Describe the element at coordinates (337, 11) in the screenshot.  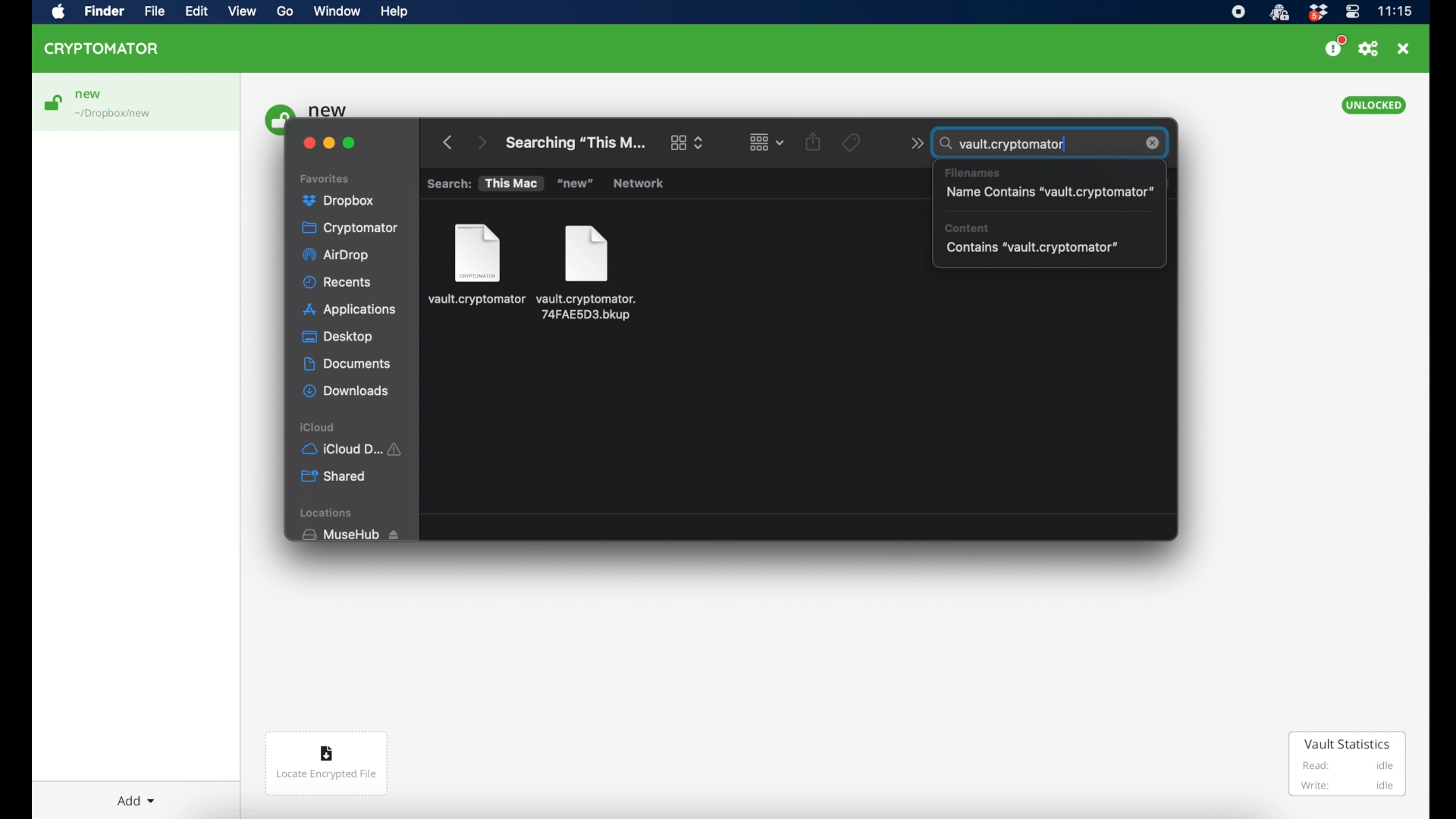
I see `window` at that location.